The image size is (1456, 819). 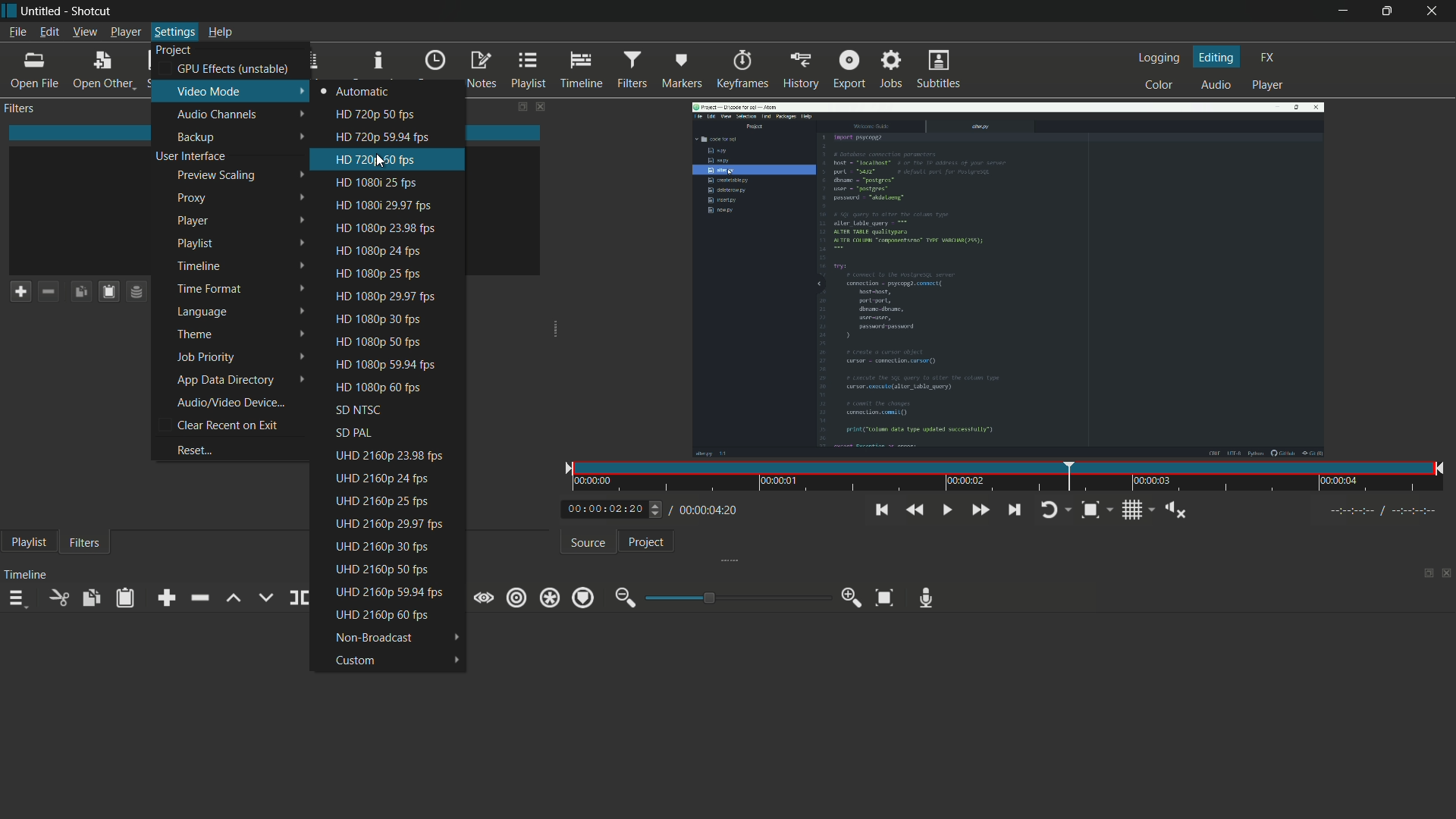 What do you see at coordinates (243, 357) in the screenshot?
I see `job priority` at bounding box center [243, 357].